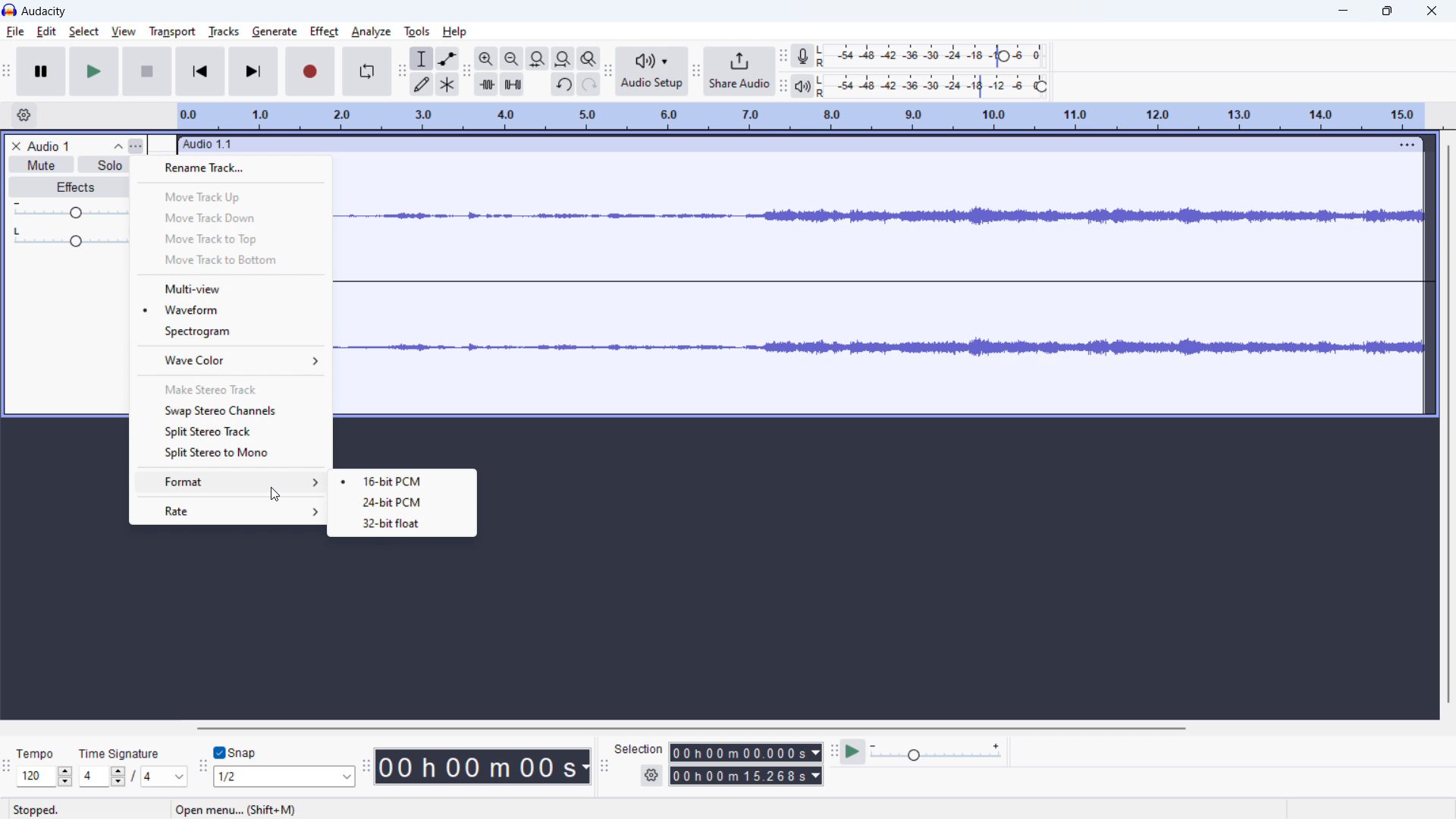 The image size is (1456, 819). I want to click on end time, so click(748, 777).